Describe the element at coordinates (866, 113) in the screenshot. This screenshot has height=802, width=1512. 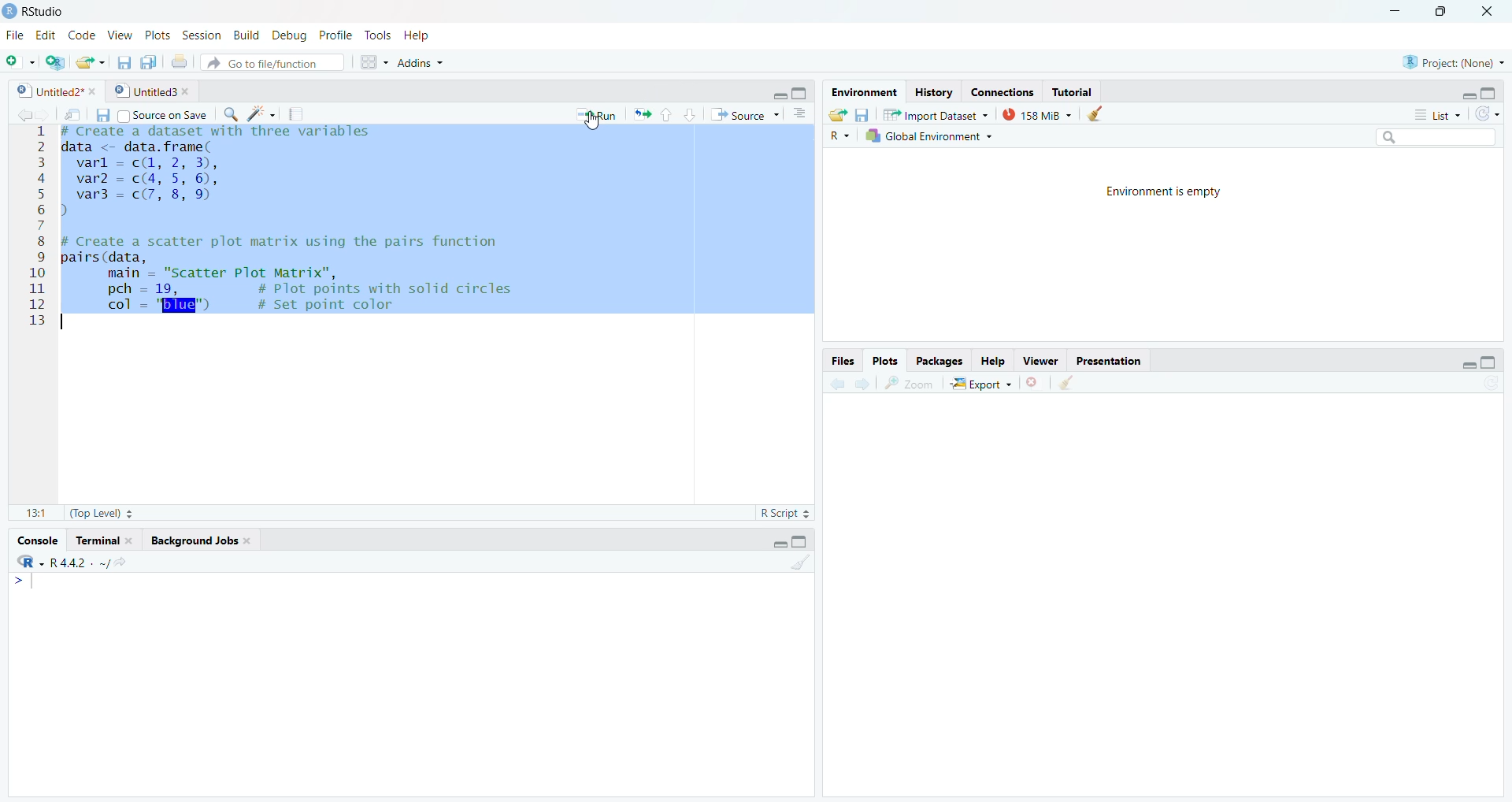
I see `Save workspace as` at that location.